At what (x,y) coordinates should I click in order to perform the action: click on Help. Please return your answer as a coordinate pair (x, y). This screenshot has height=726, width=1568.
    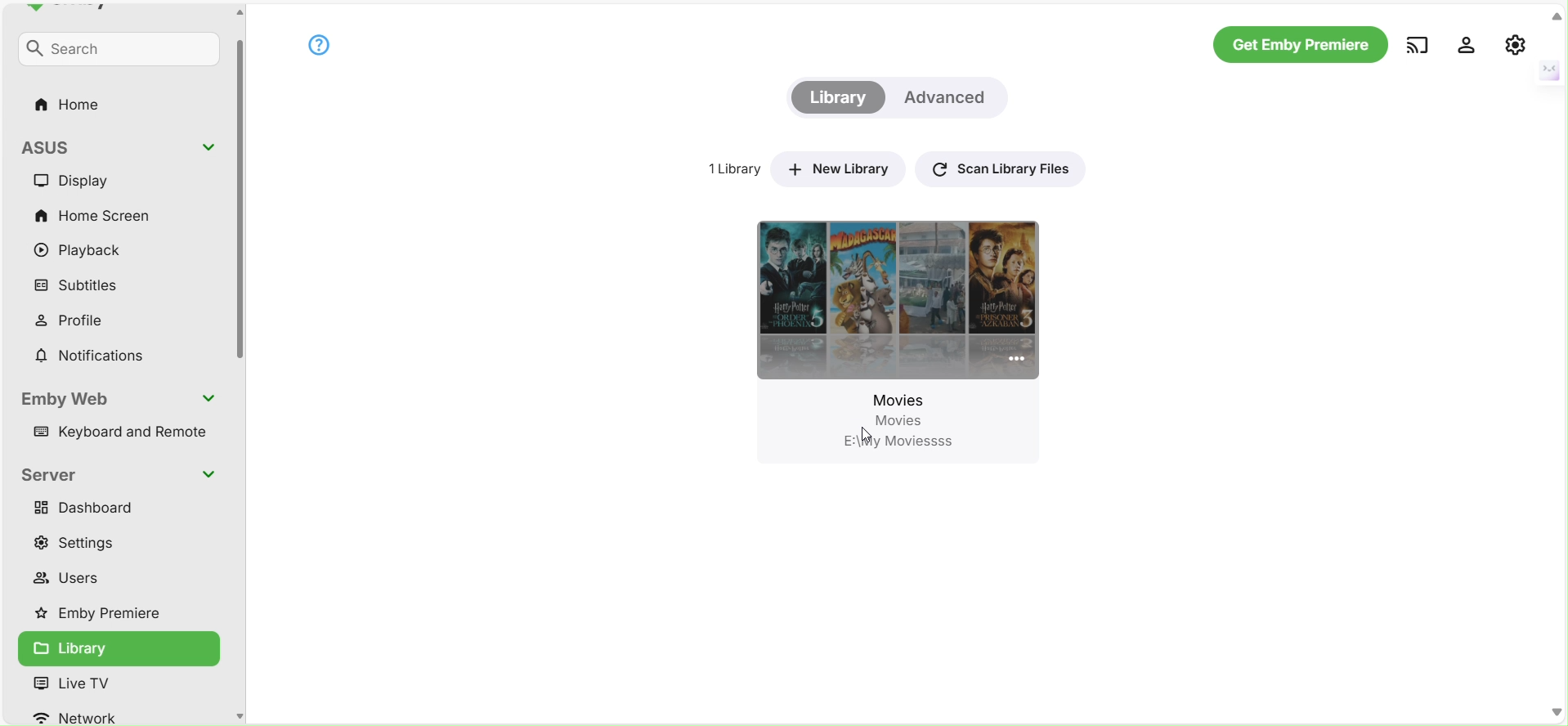
    Looking at the image, I should click on (318, 44).